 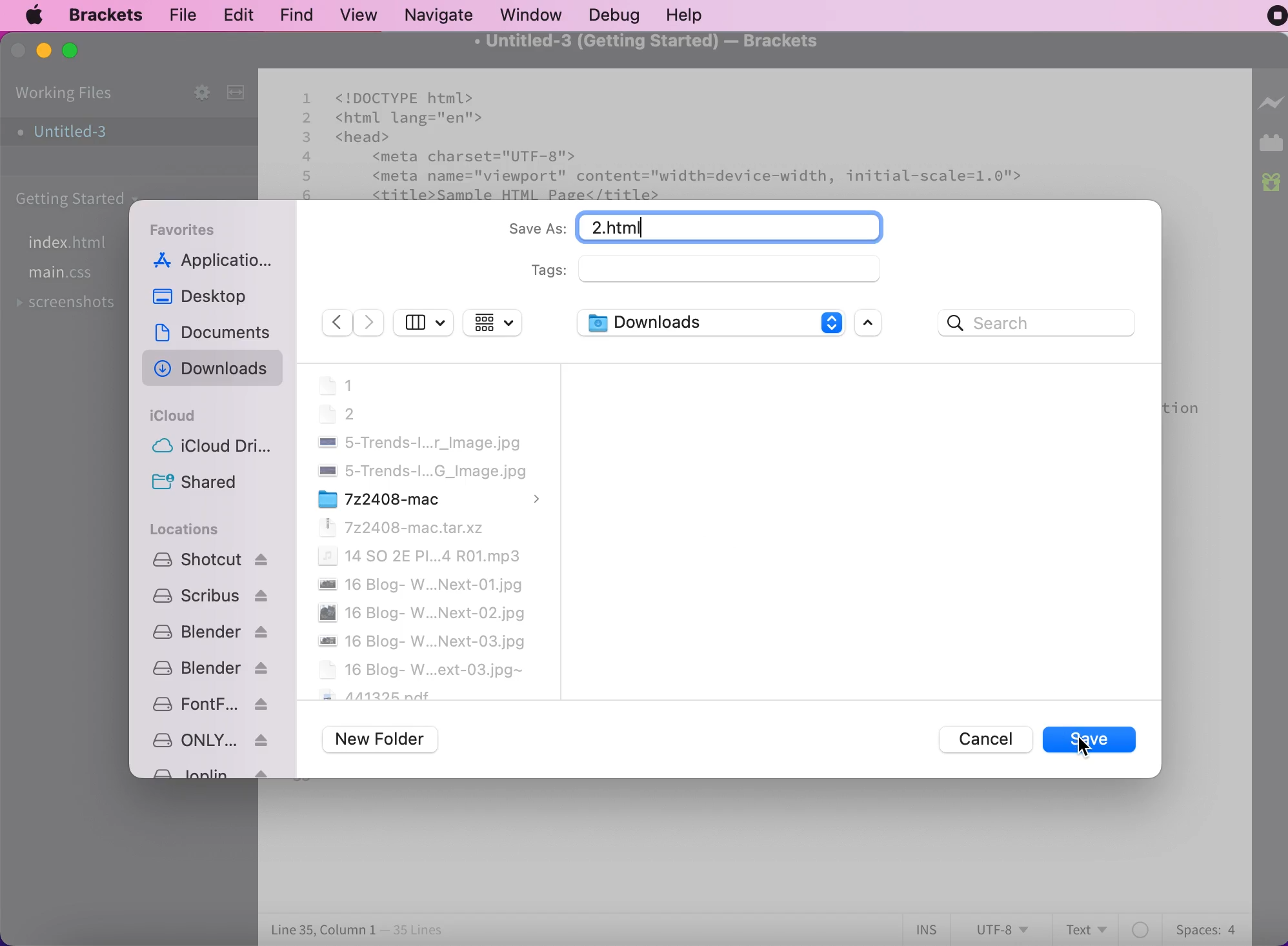 I want to click on downloads selected, so click(x=216, y=367).